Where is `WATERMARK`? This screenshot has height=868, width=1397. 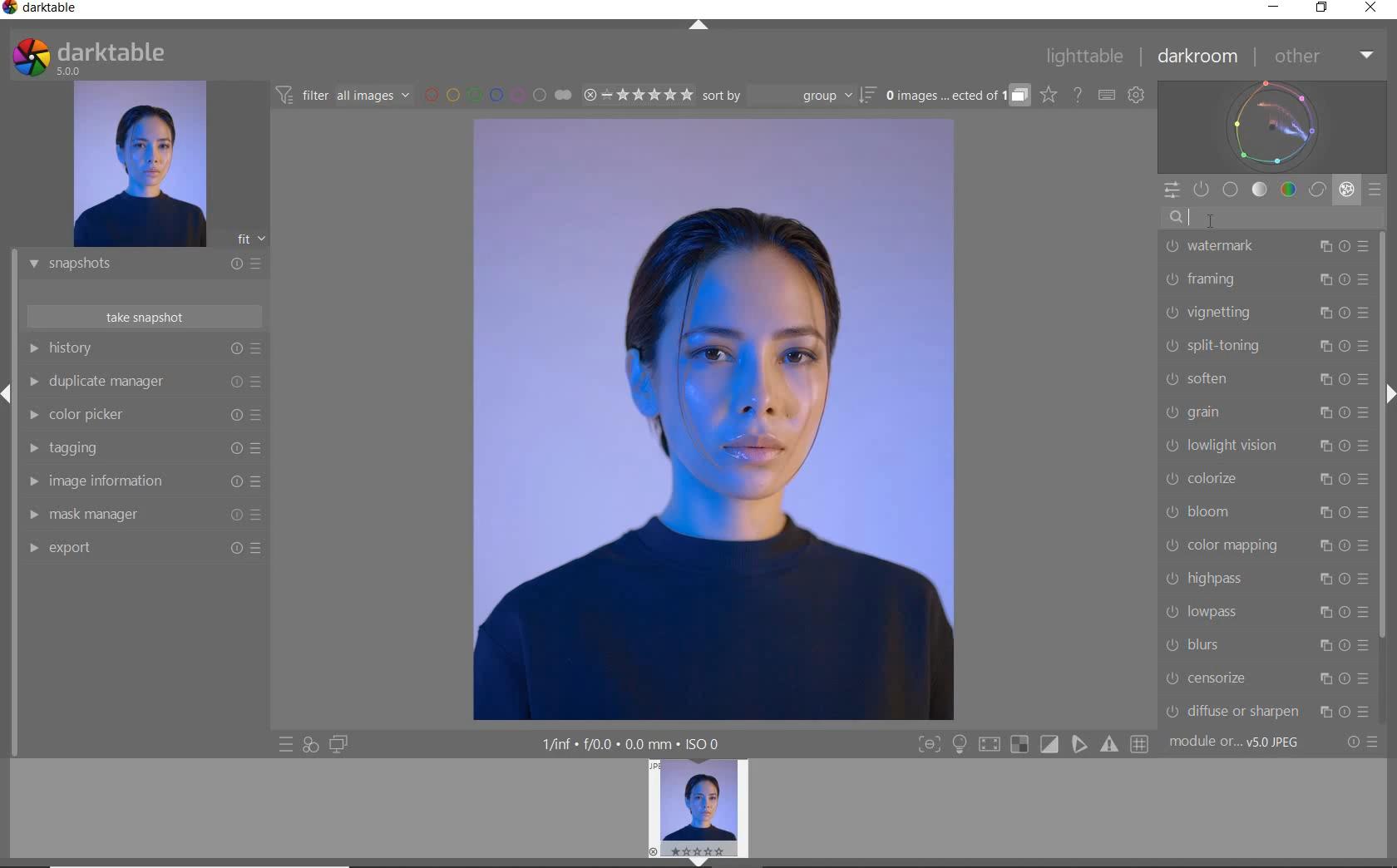 WATERMARK is located at coordinates (1266, 245).